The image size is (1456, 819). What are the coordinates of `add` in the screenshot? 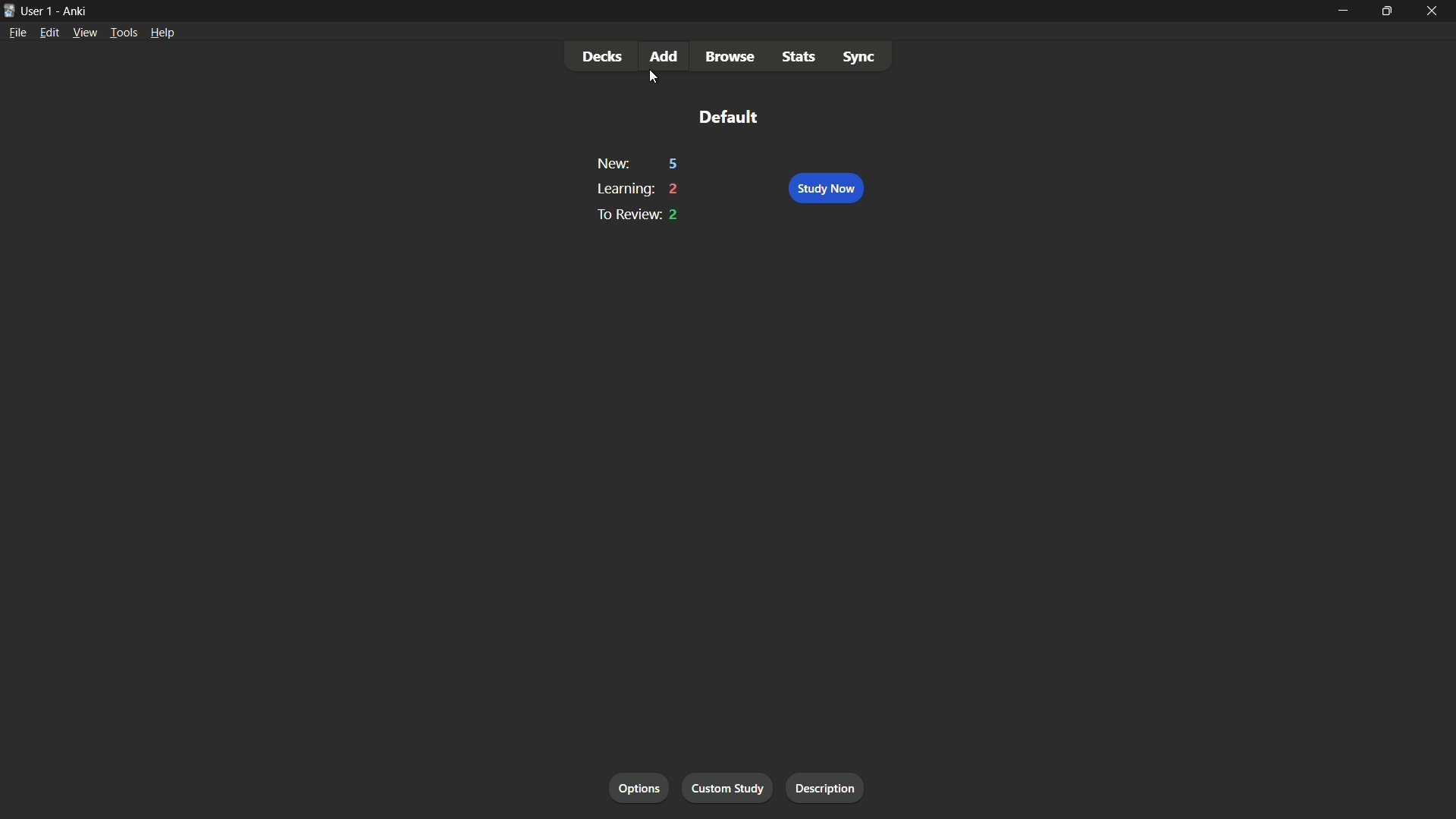 It's located at (665, 56).